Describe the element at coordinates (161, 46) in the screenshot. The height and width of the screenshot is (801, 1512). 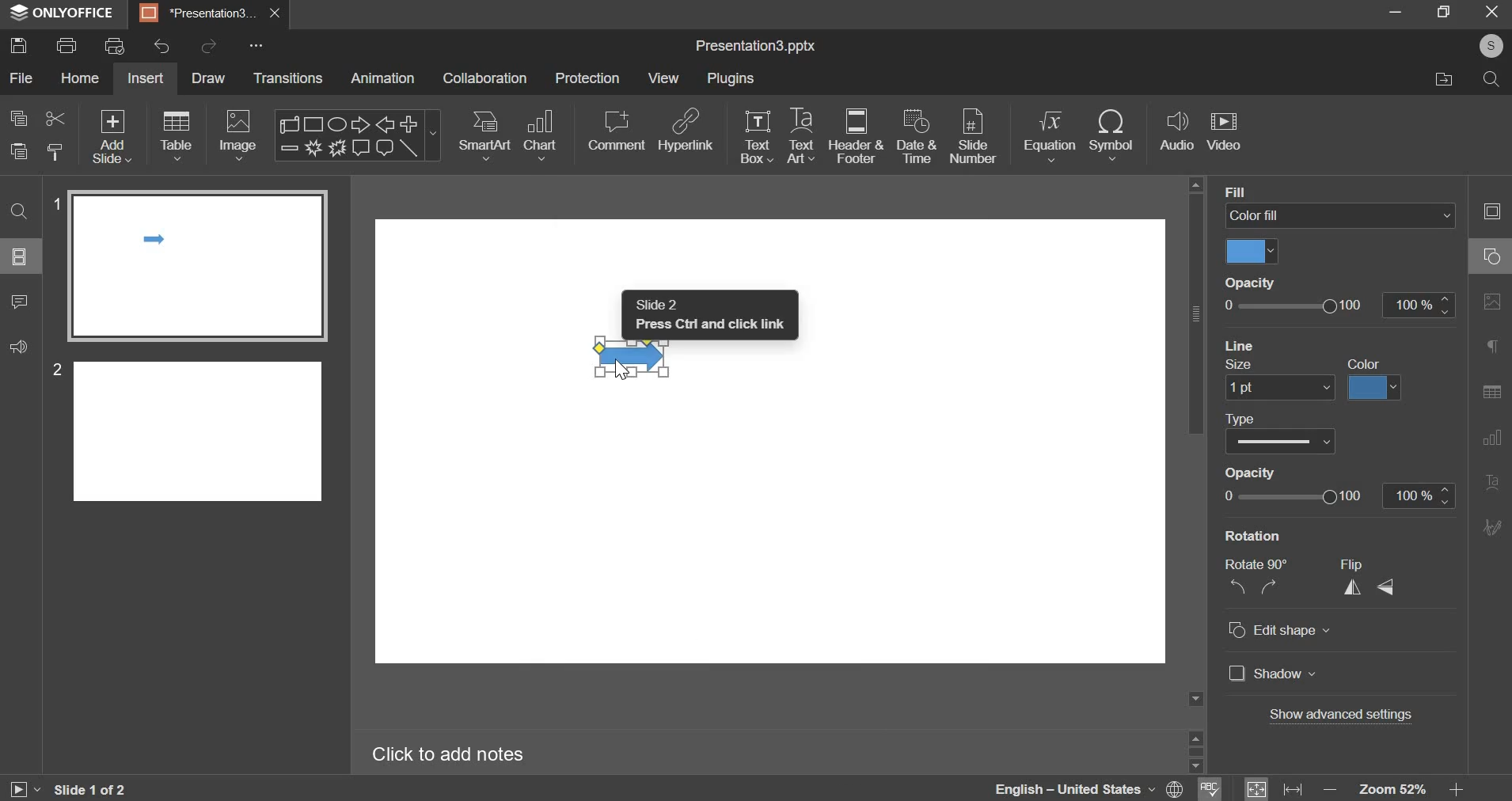
I see `undo` at that location.